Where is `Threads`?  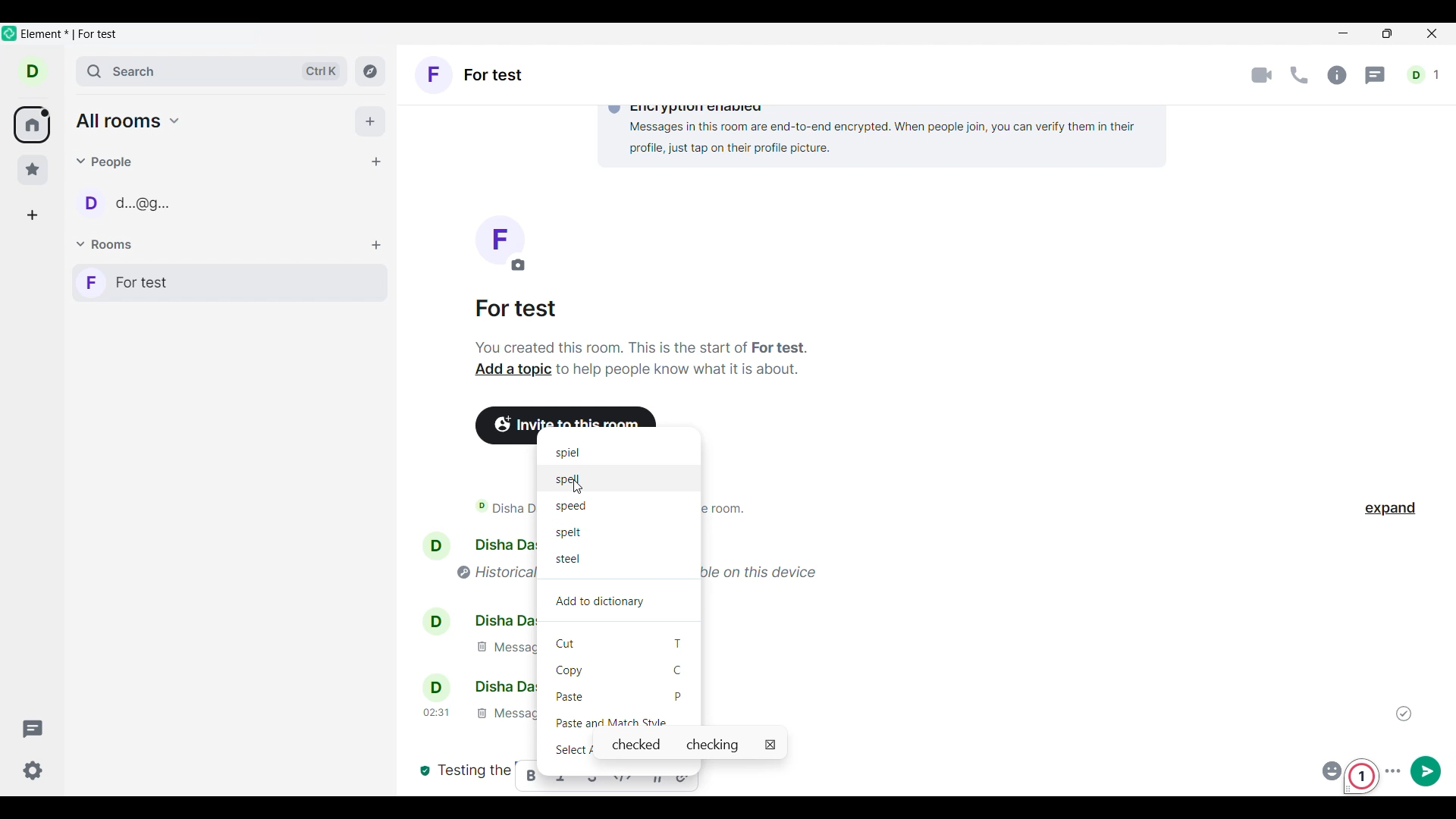
Threads is located at coordinates (1376, 76).